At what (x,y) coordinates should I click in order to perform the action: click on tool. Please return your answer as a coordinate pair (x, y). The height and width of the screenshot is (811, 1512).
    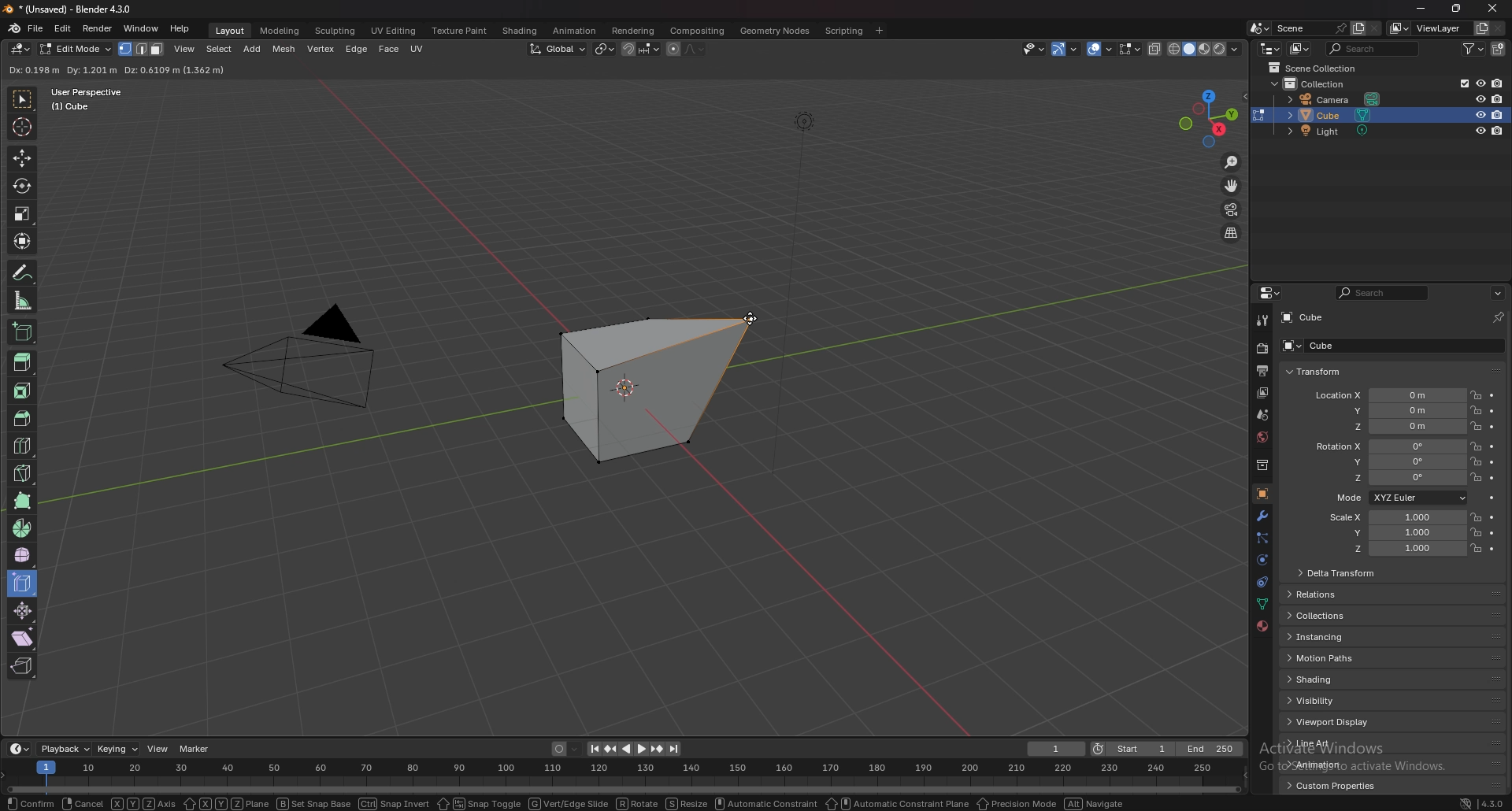
    Looking at the image, I should click on (1262, 320).